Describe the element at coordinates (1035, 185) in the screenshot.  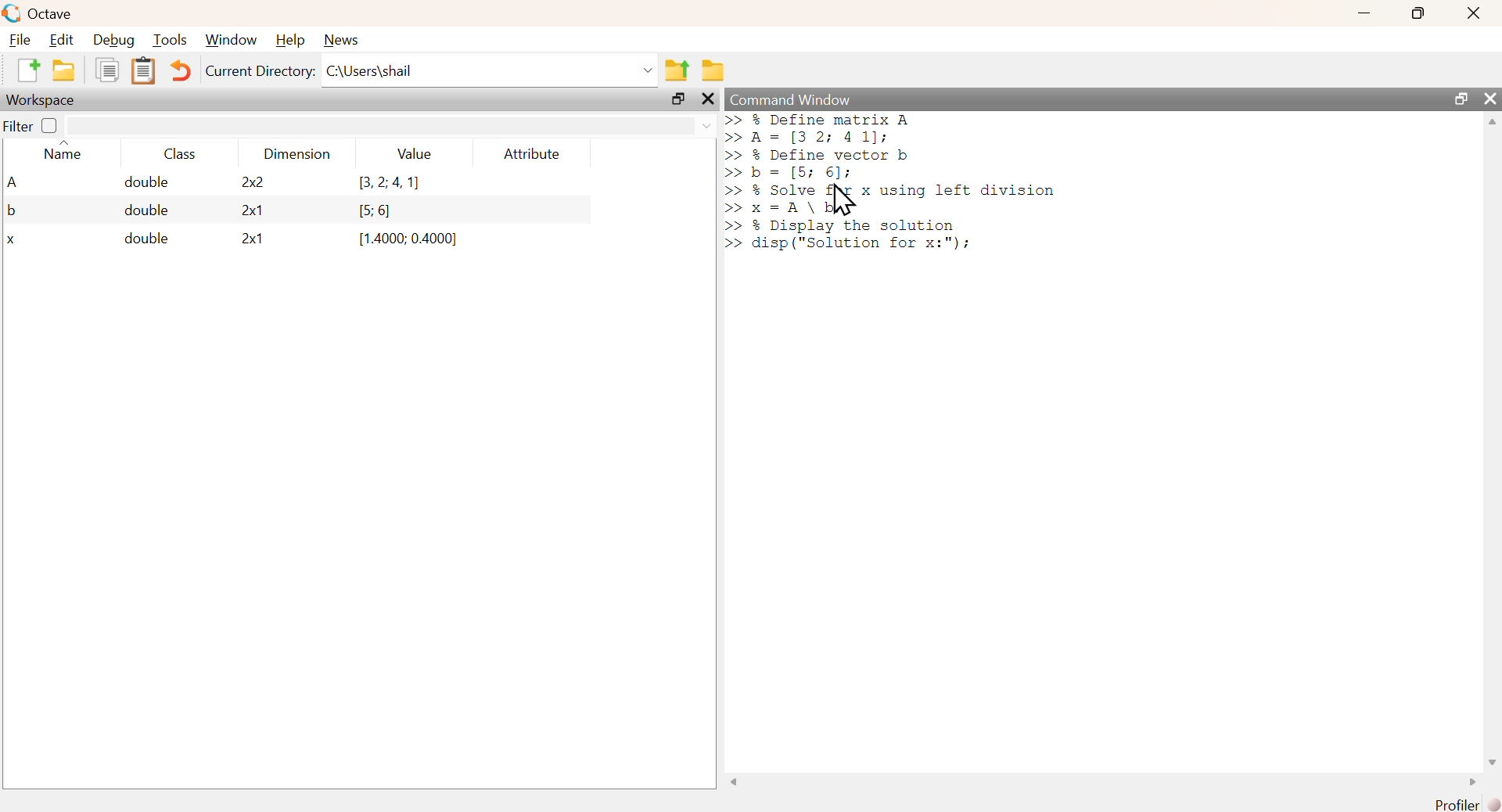
I see `command` at that location.